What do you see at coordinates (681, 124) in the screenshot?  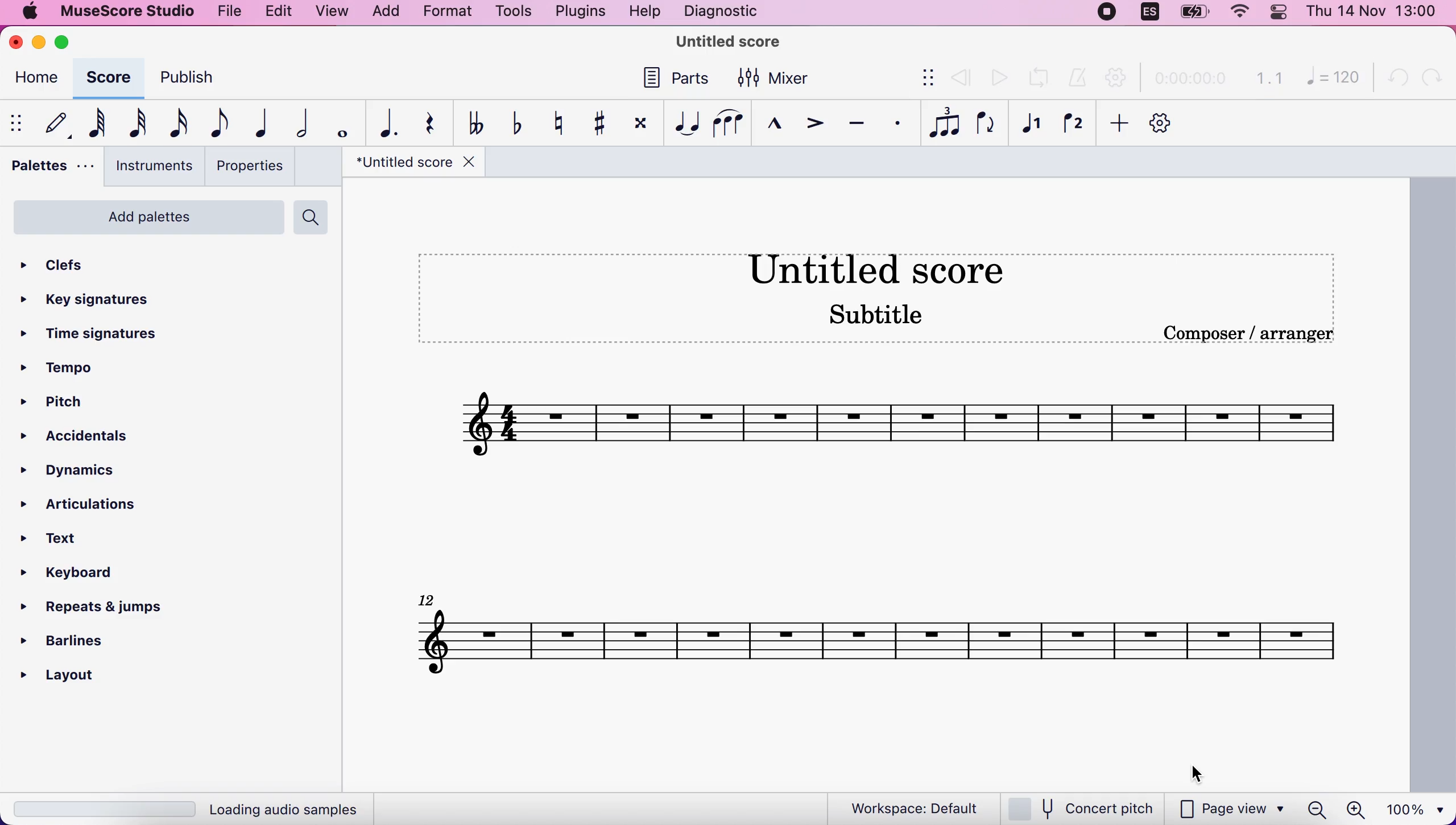 I see `tie` at bounding box center [681, 124].